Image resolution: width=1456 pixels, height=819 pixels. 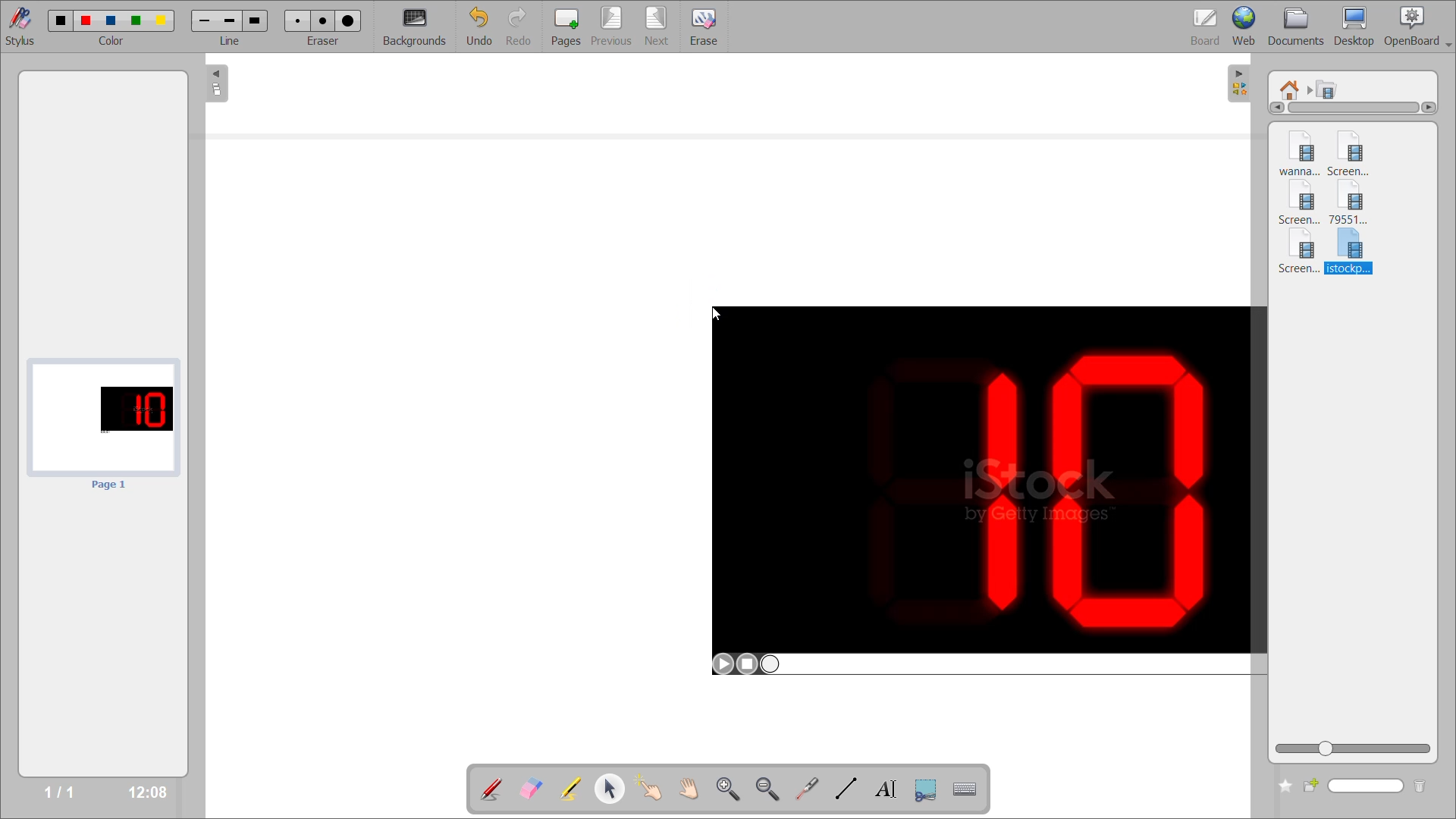 I want to click on backgrounds, so click(x=417, y=26).